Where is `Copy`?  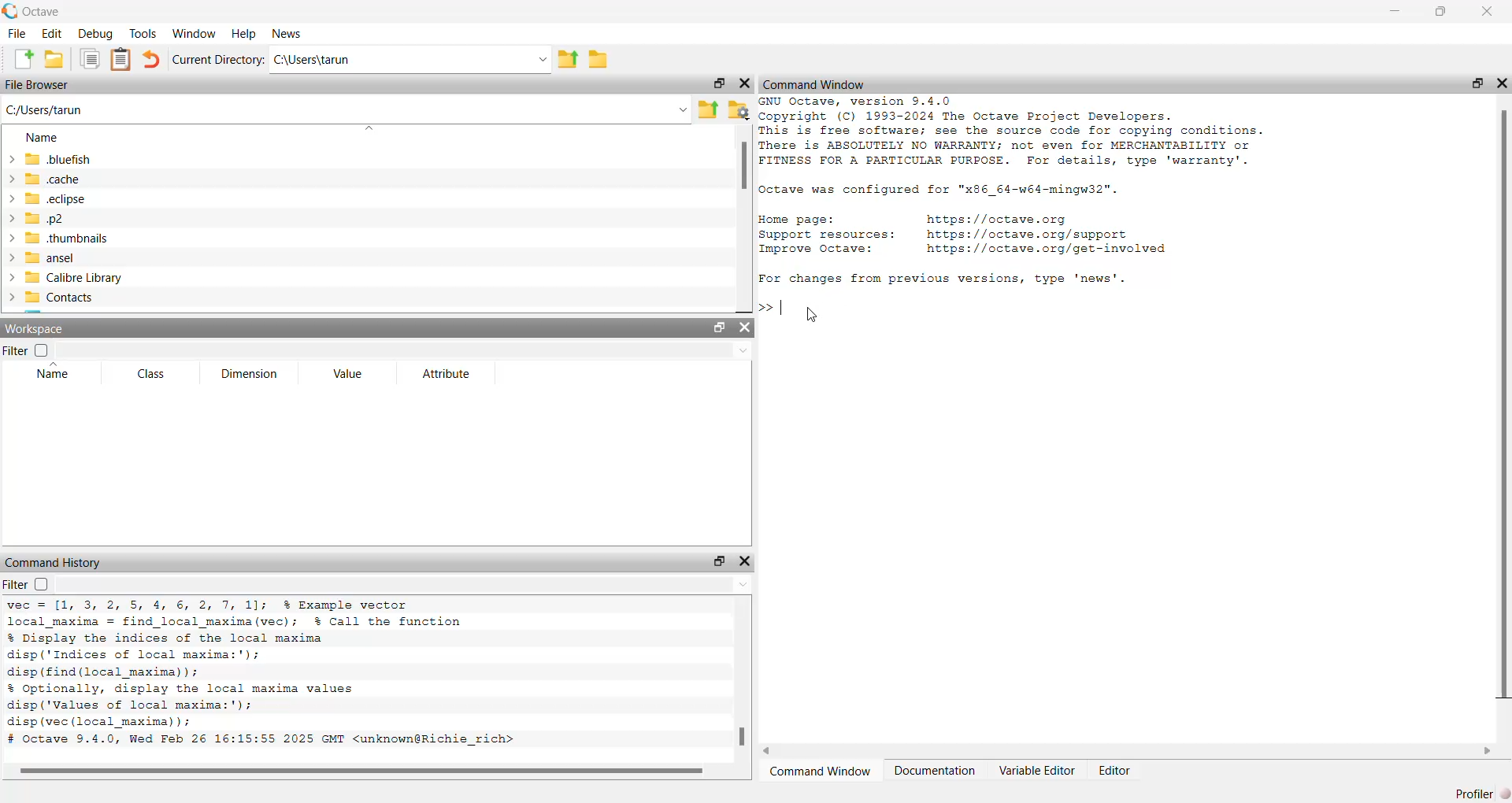
Copy is located at coordinates (89, 59).